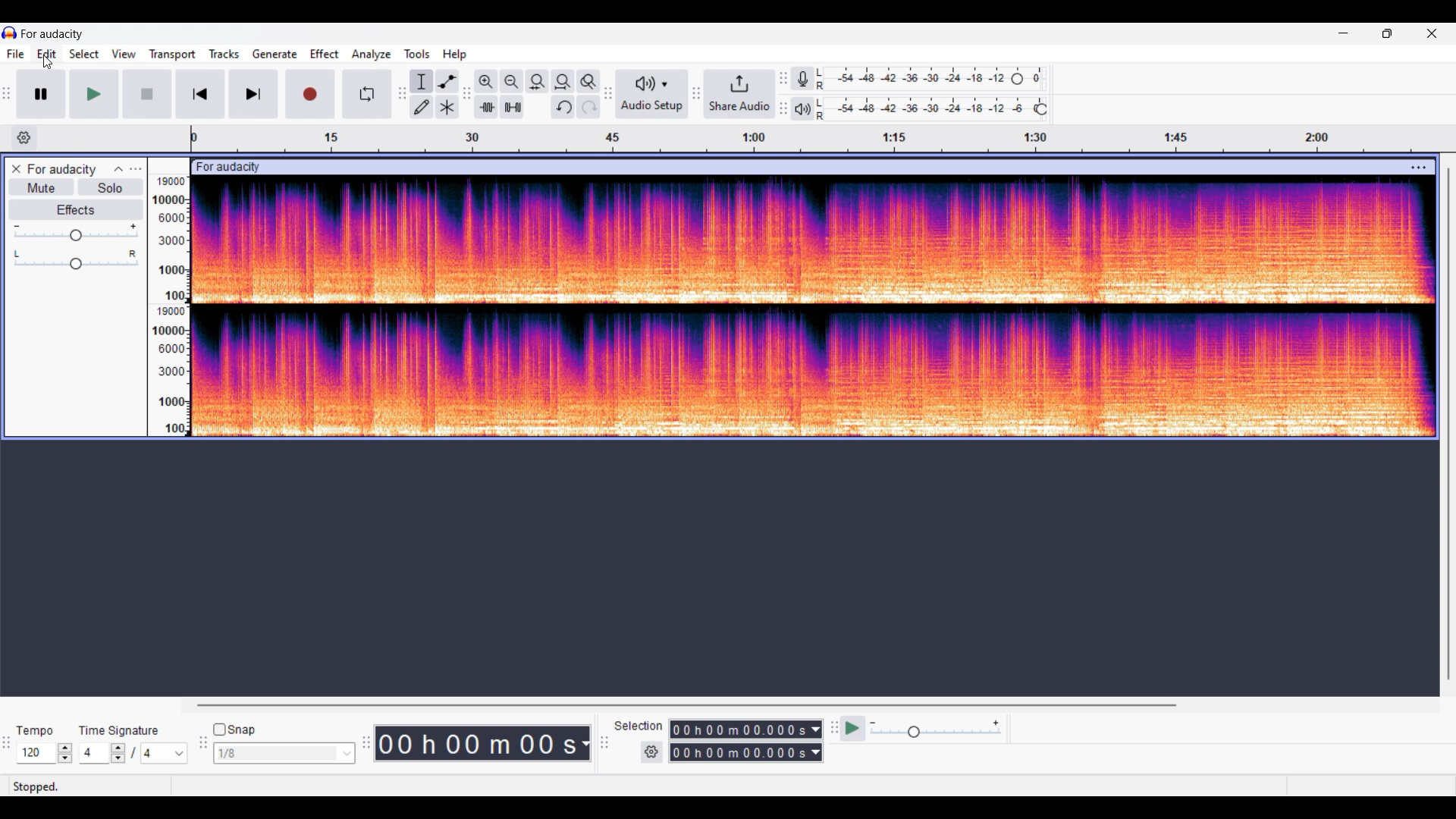  Describe the element at coordinates (45, 753) in the screenshot. I see `Tempo settings` at that location.